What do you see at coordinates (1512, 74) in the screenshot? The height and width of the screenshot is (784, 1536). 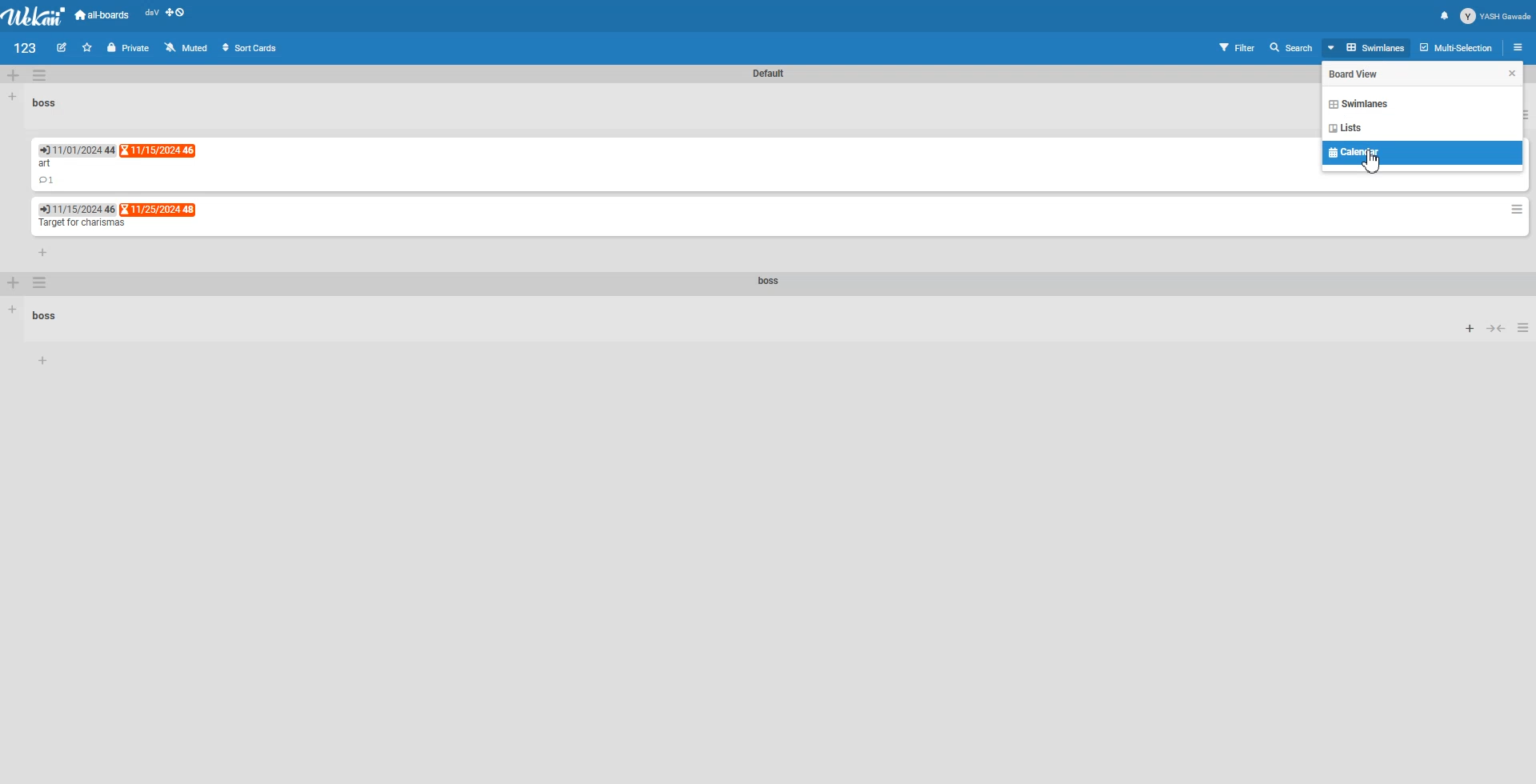 I see `Cursor` at bounding box center [1512, 74].